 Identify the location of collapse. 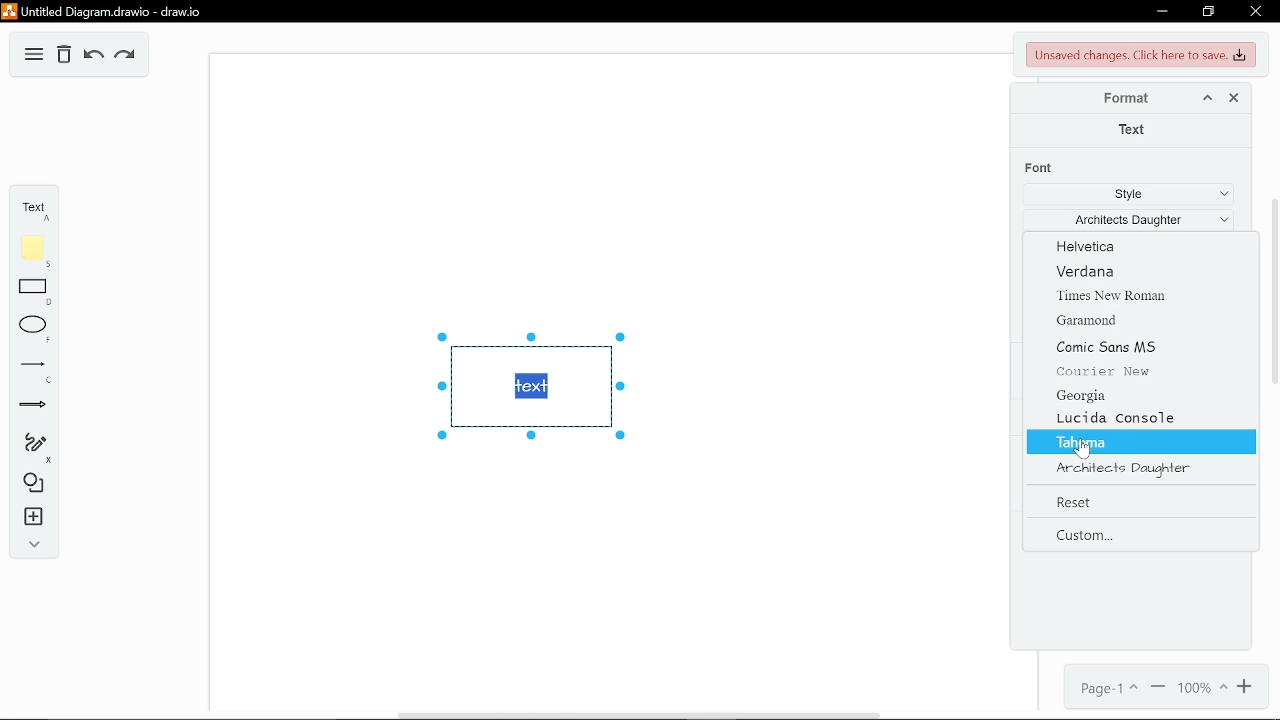
(1206, 98).